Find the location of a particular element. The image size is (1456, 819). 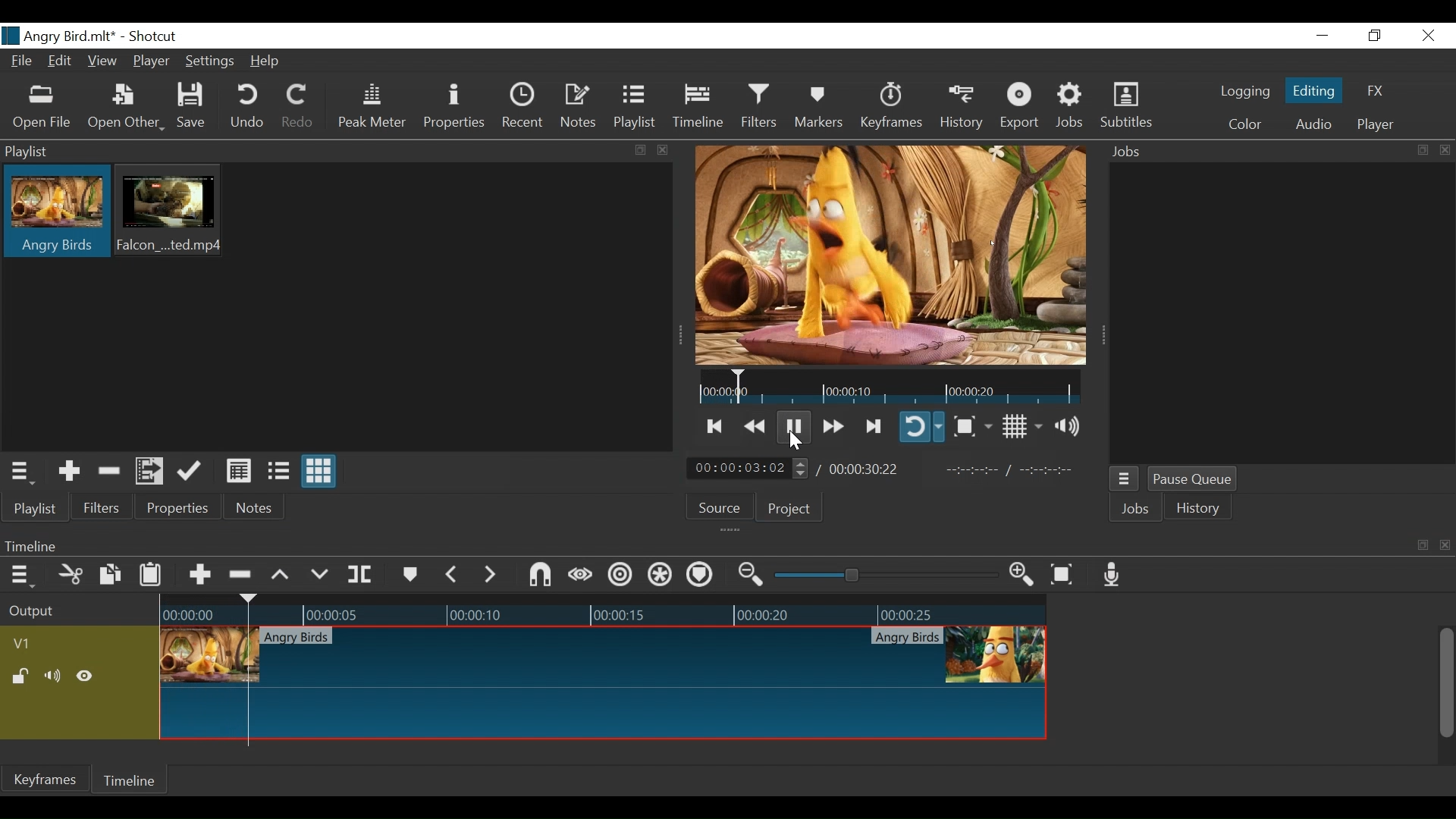

Hide is located at coordinates (89, 677).